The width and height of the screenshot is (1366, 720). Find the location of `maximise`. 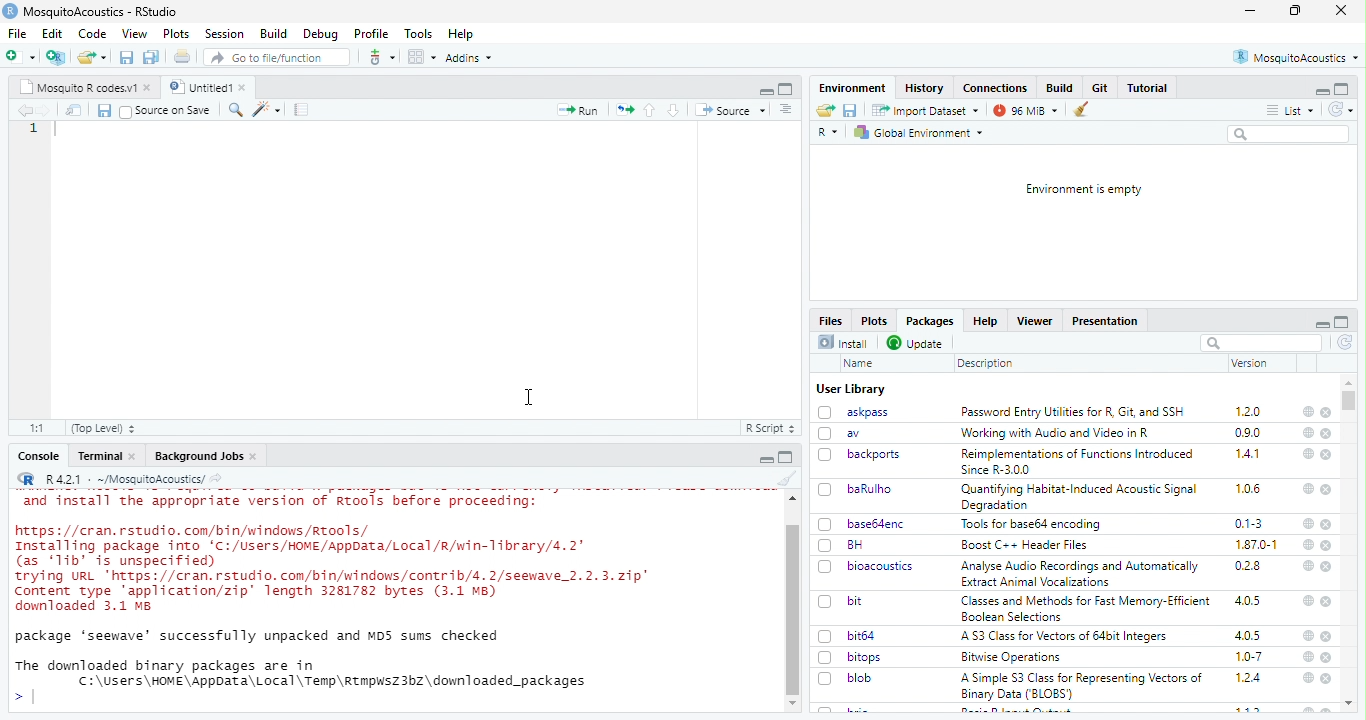

maximise is located at coordinates (1342, 322).